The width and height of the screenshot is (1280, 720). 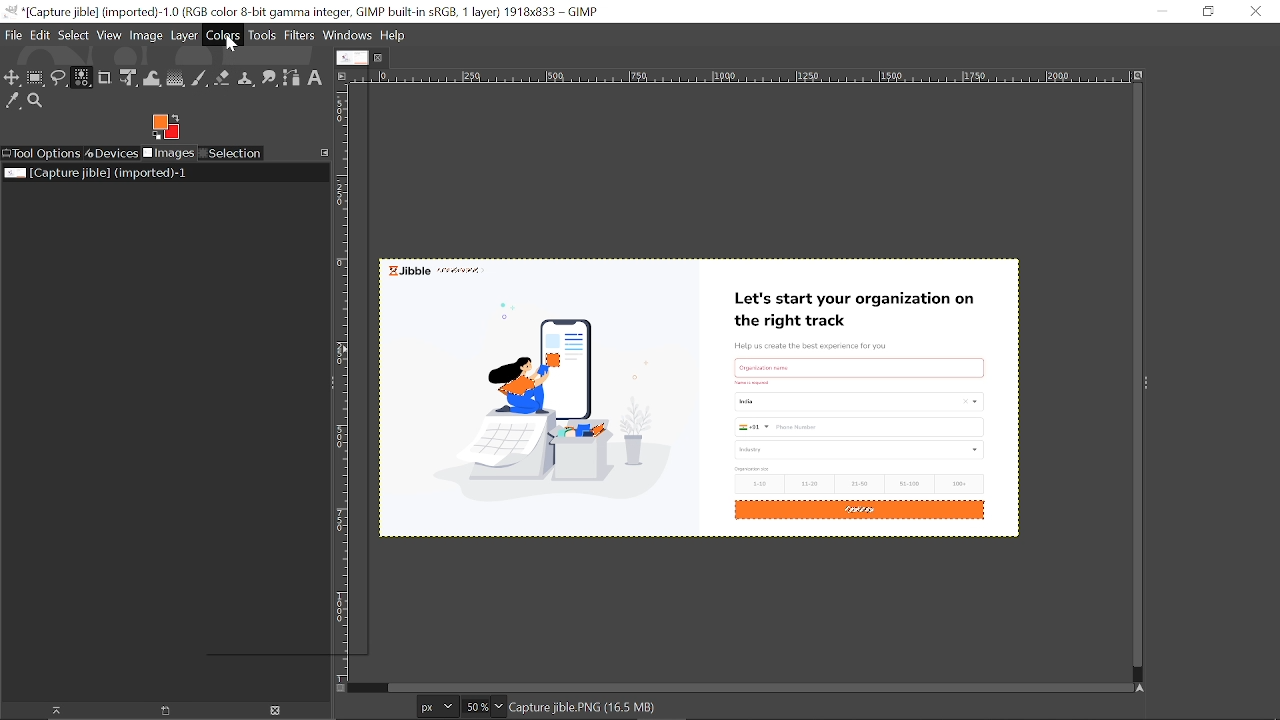 I want to click on Zoom options, so click(x=498, y=706).